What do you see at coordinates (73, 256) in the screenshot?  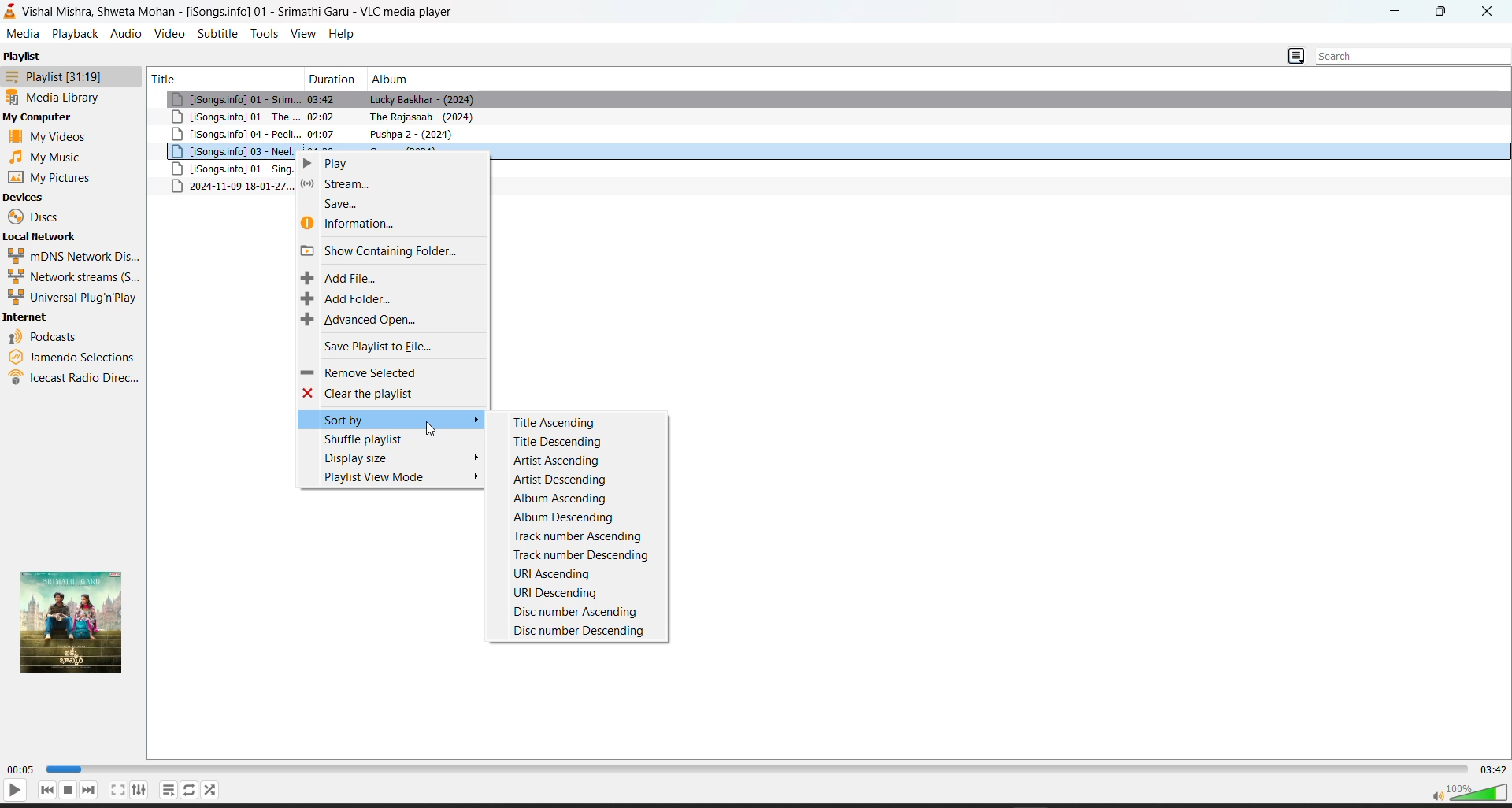 I see `mdns network` at bounding box center [73, 256].